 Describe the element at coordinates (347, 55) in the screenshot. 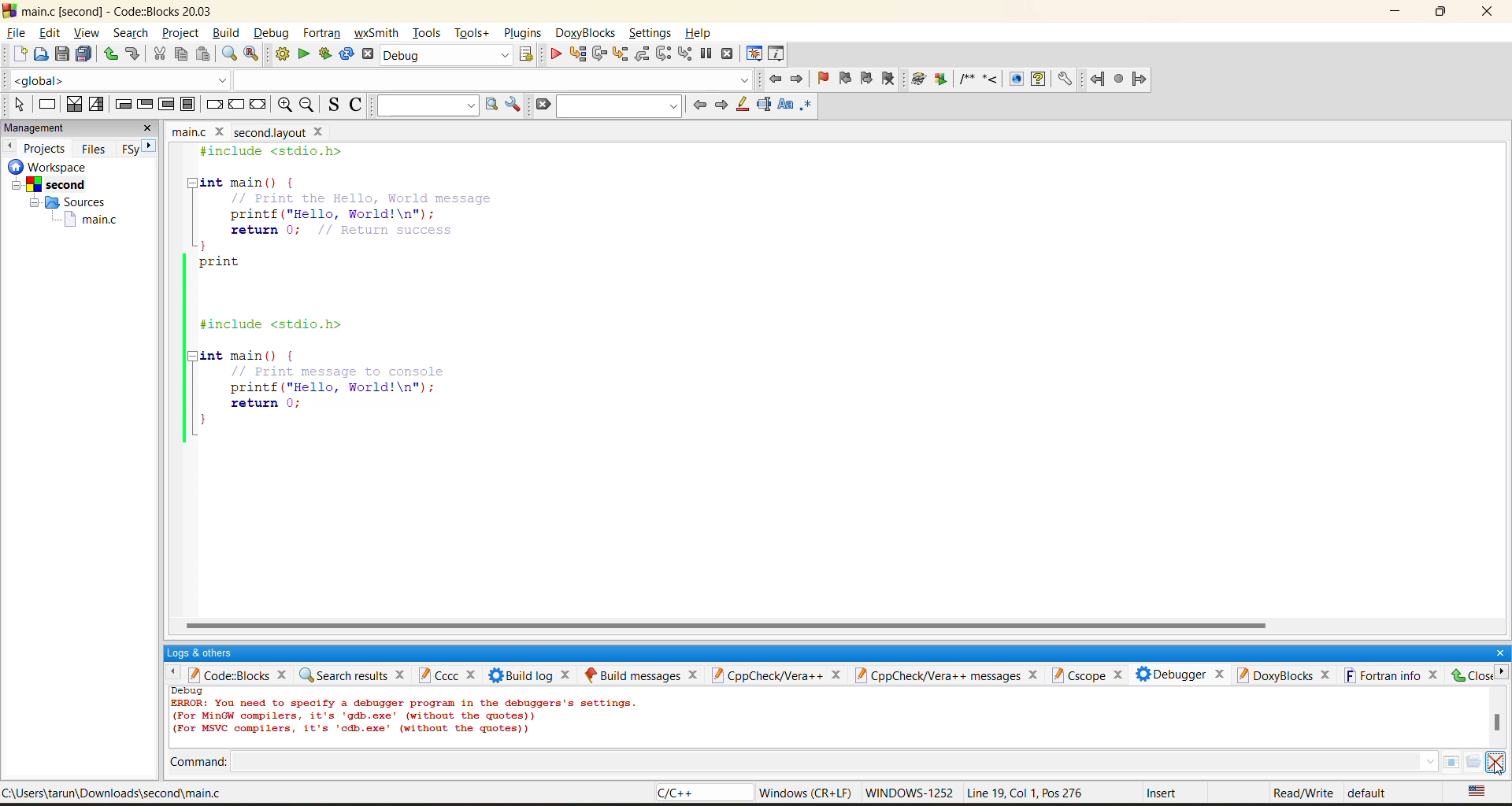

I see `rebuild` at that location.